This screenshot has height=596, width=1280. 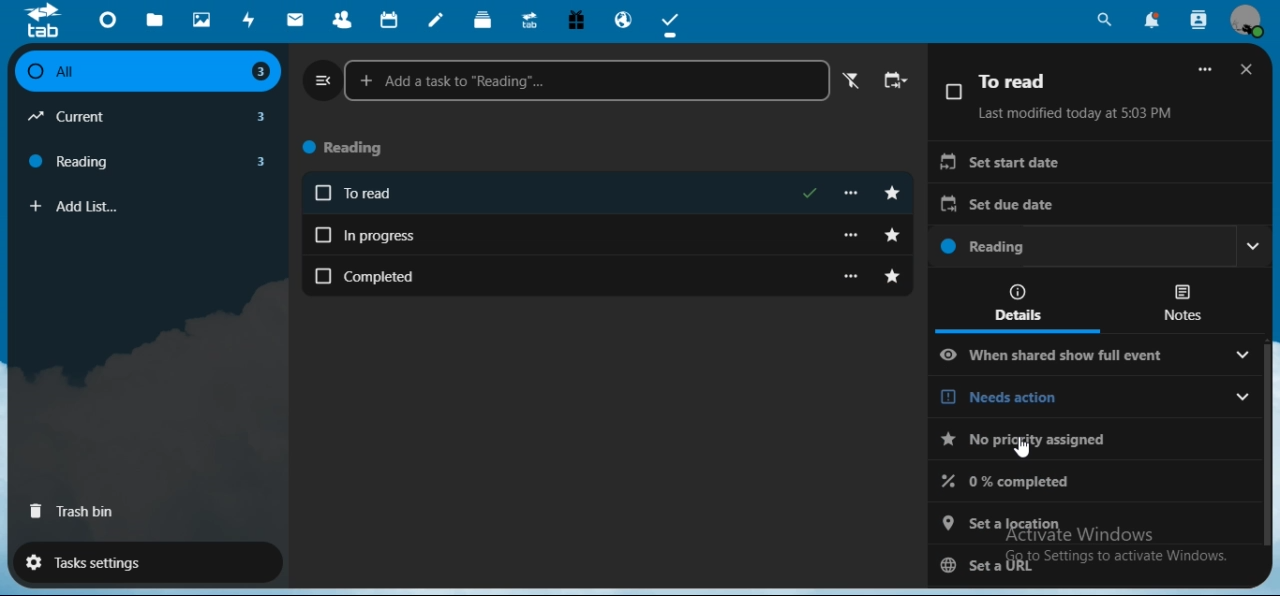 What do you see at coordinates (323, 193) in the screenshot?
I see `Checkbox` at bounding box center [323, 193].